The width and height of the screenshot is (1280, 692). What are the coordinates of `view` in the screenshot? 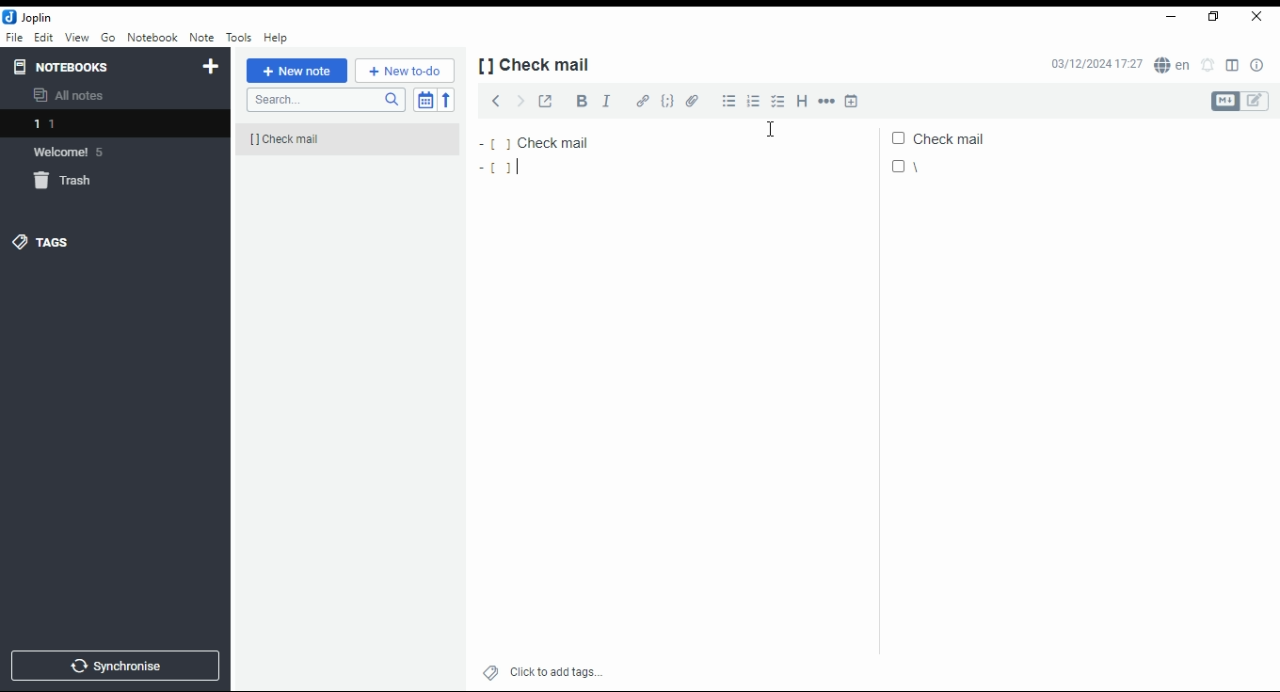 It's located at (78, 38).